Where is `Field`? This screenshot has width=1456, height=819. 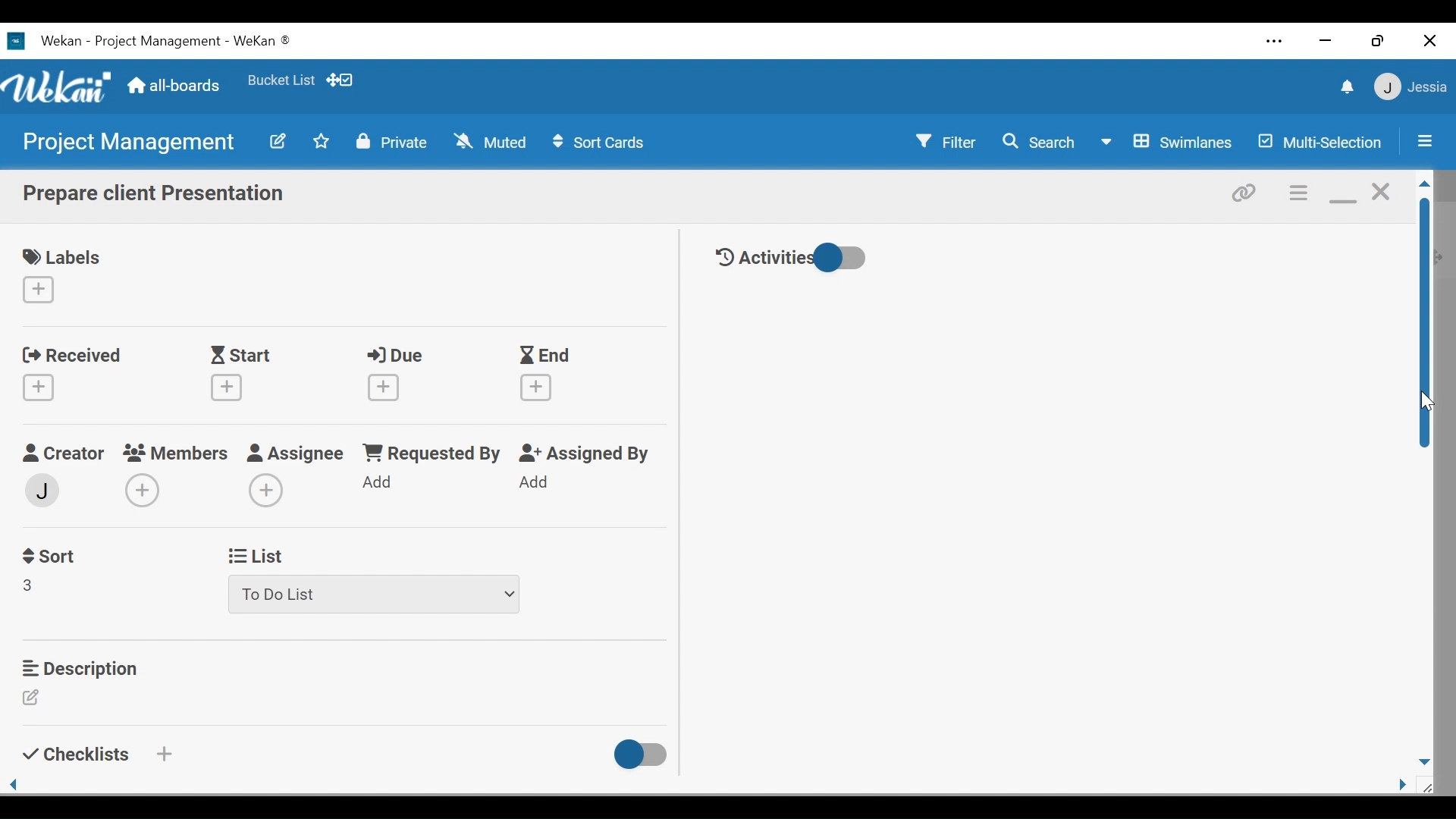 Field is located at coordinates (30, 585).